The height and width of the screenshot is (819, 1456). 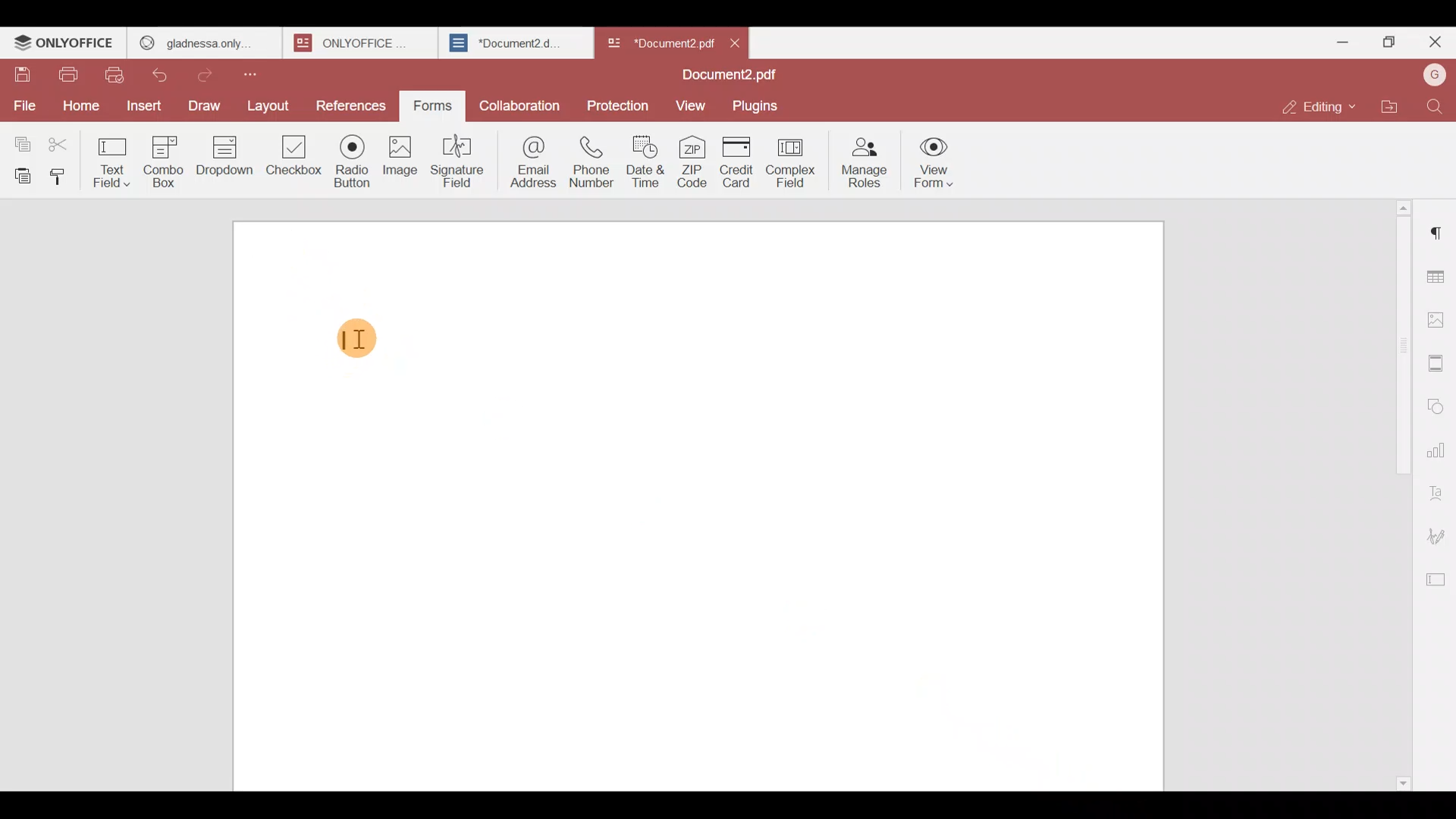 I want to click on Scroll bar, so click(x=1397, y=490).